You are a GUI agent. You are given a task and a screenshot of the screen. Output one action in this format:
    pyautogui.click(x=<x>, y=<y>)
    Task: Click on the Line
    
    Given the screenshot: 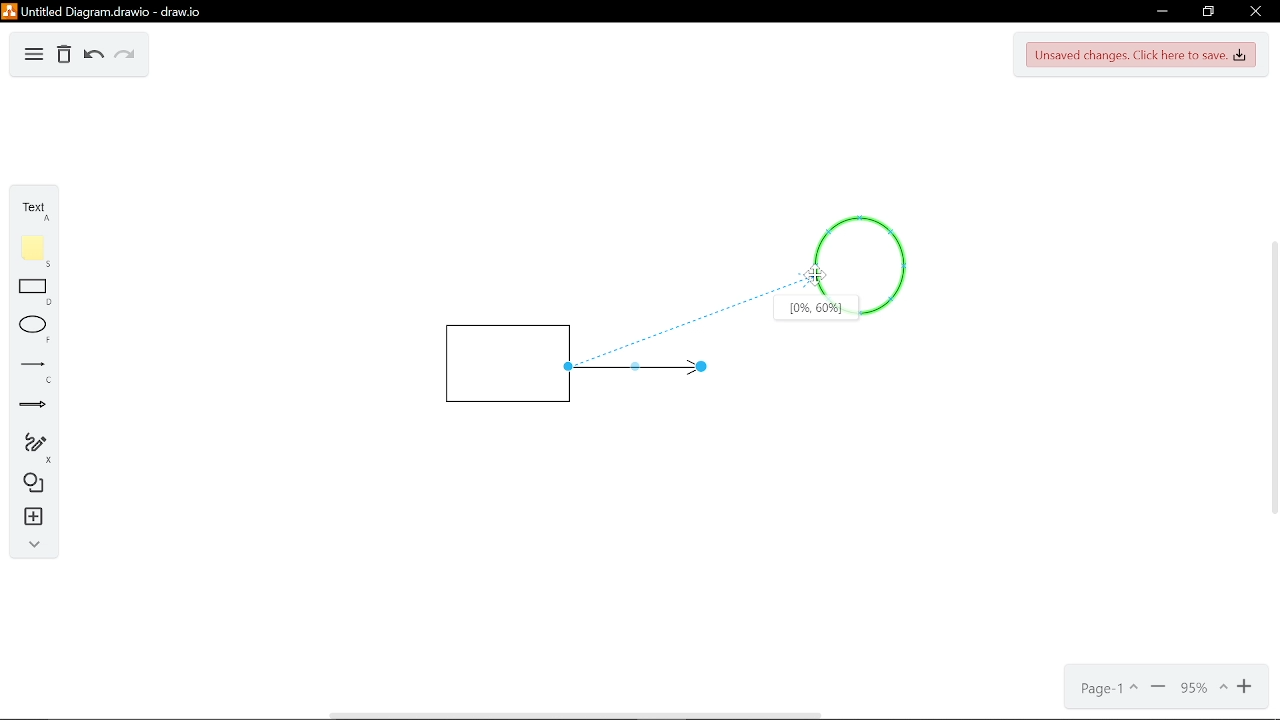 What is the action you would take?
    pyautogui.click(x=30, y=367)
    